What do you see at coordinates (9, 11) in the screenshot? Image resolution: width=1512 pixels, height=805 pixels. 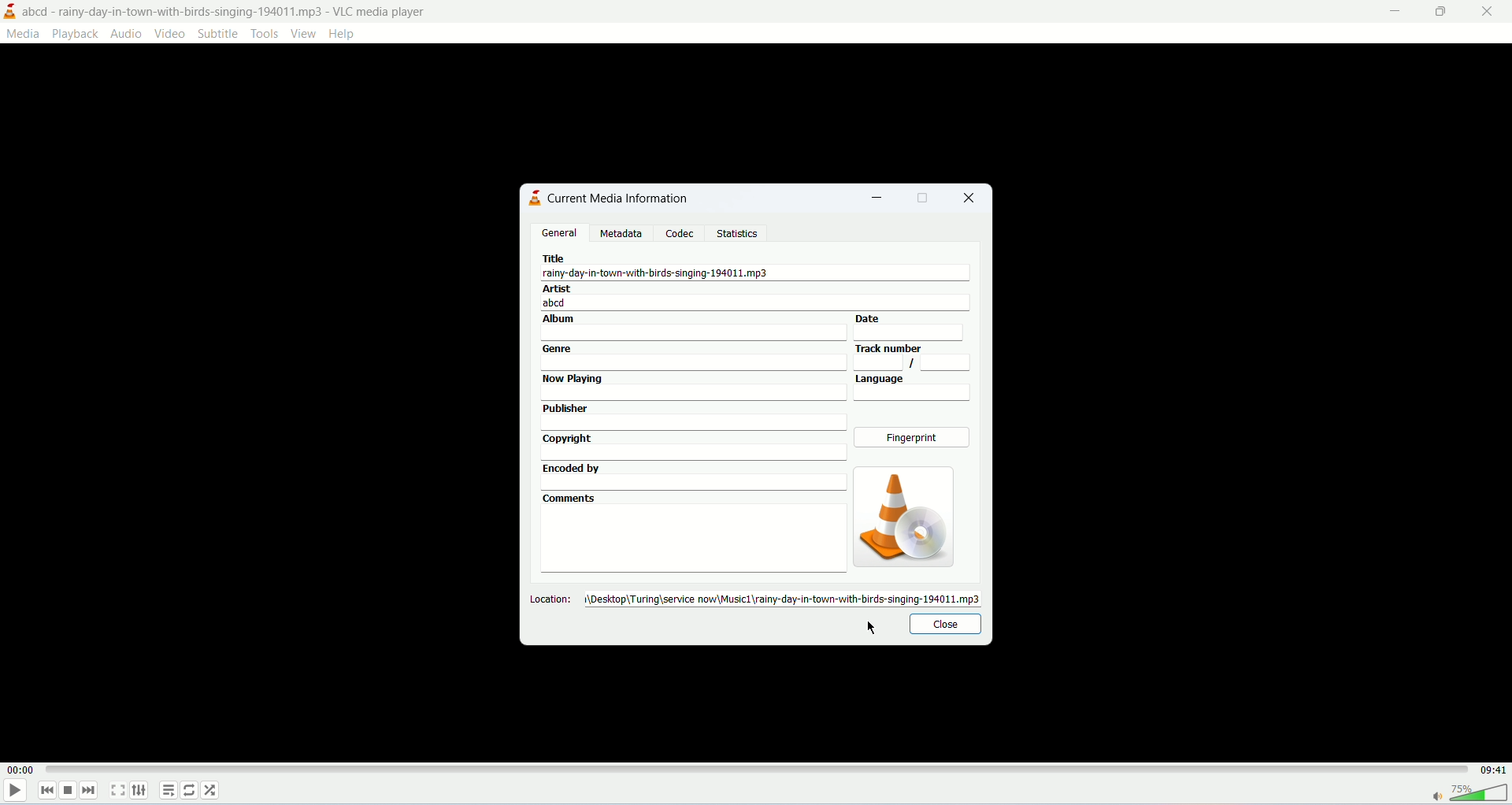 I see `logo` at bounding box center [9, 11].